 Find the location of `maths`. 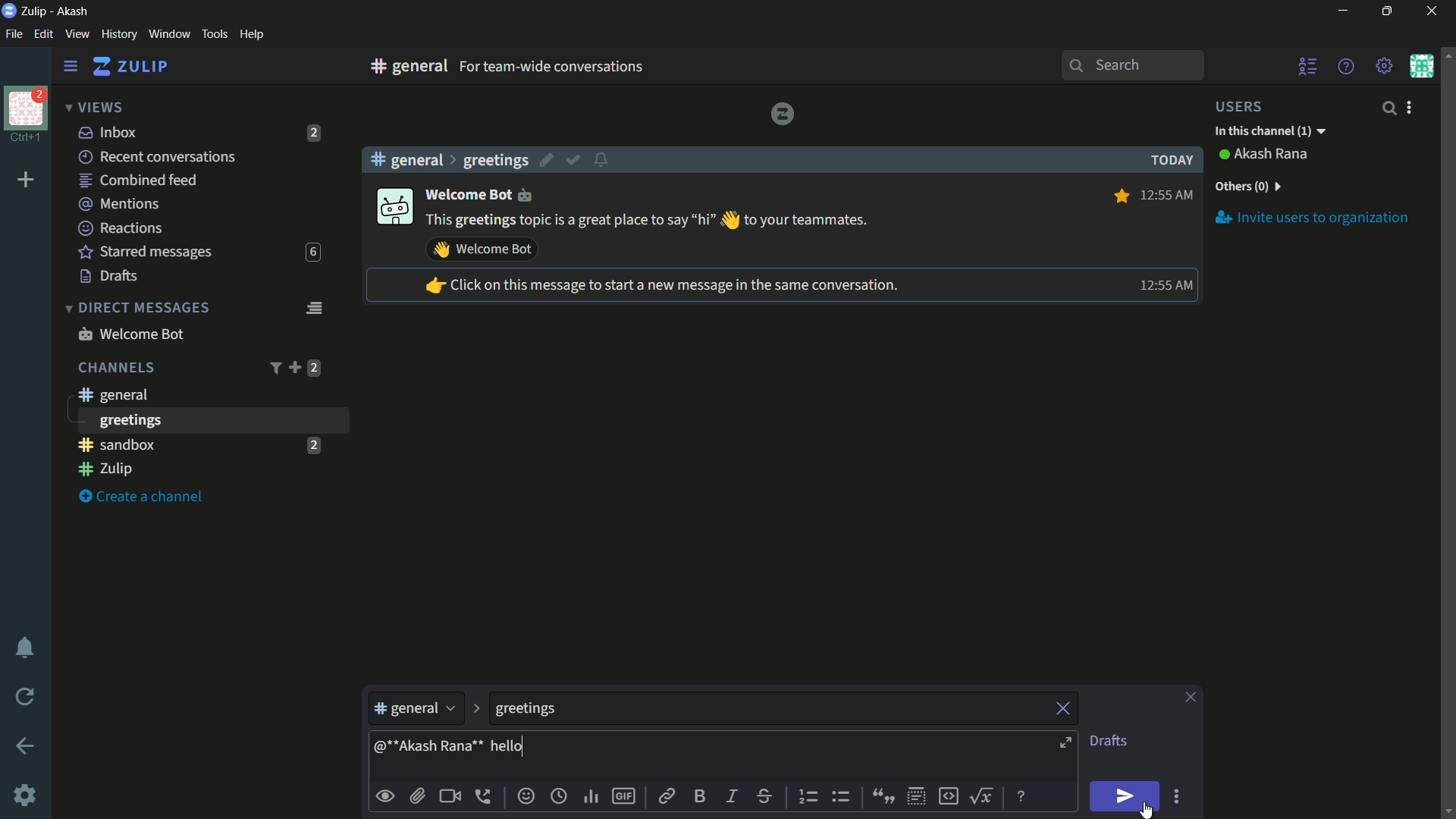

maths is located at coordinates (984, 795).